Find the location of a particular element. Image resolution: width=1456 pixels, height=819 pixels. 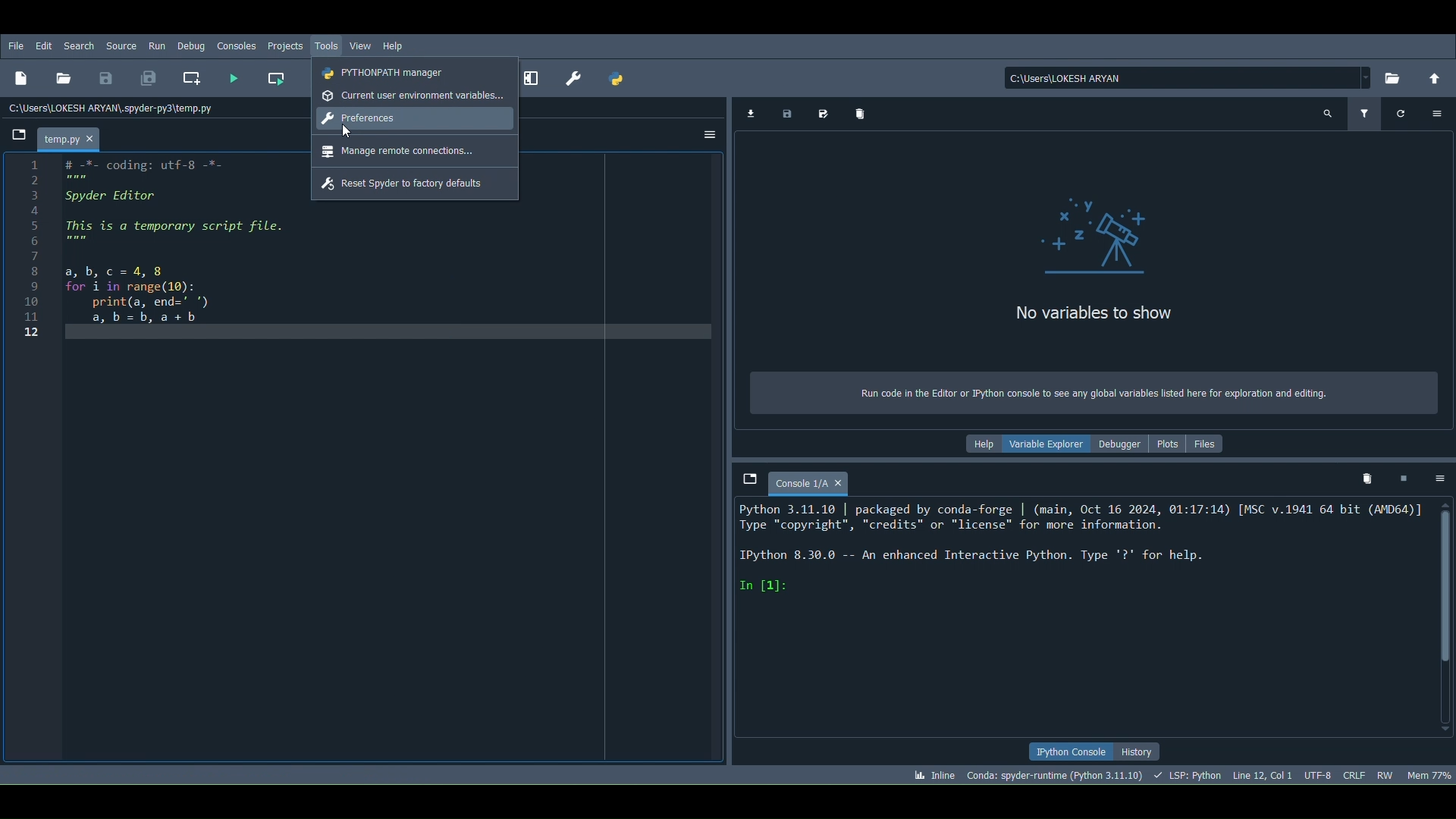

Projects is located at coordinates (286, 45).